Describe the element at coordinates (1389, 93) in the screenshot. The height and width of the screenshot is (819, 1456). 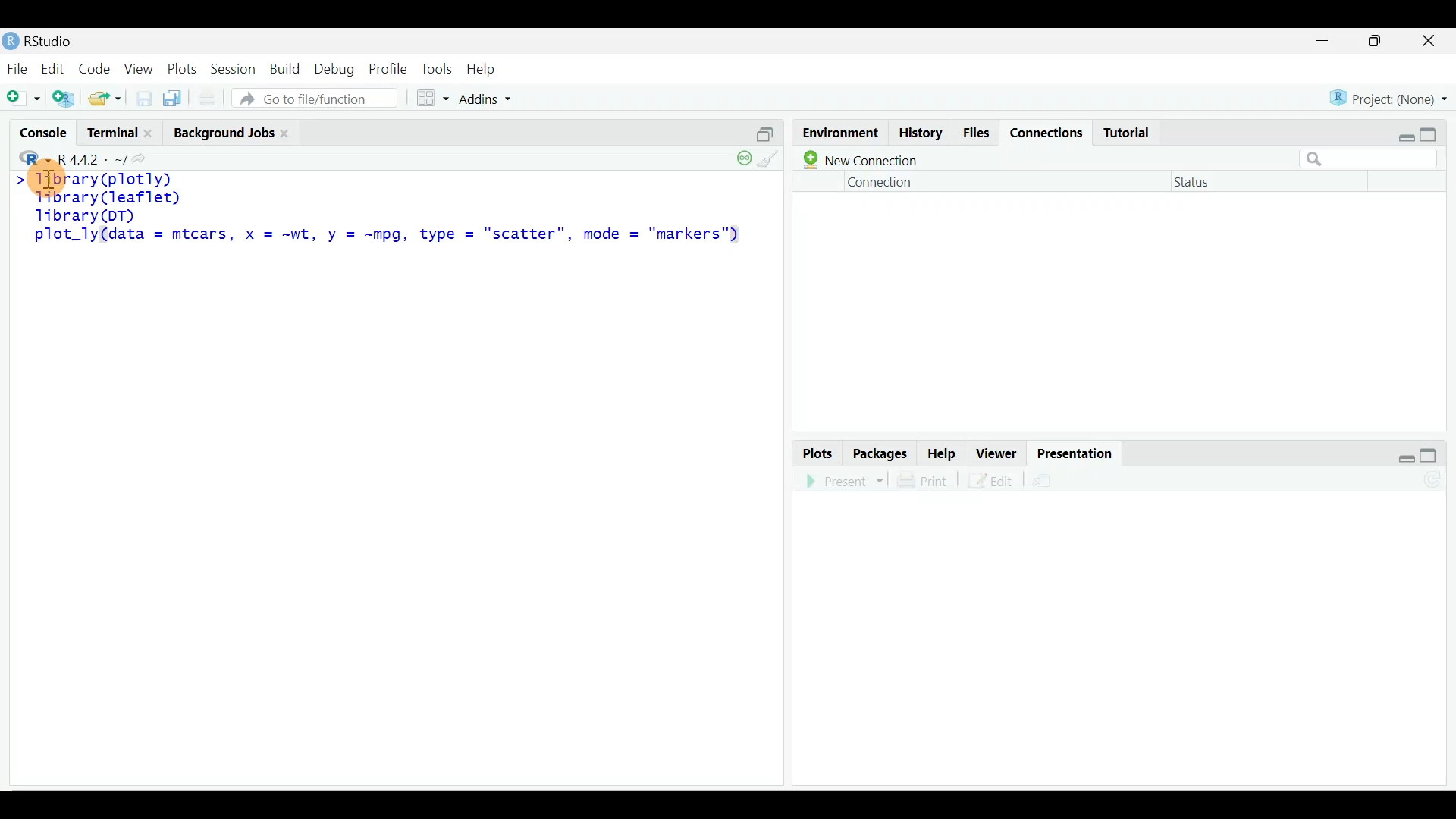
I see `Project (None)` at that location.